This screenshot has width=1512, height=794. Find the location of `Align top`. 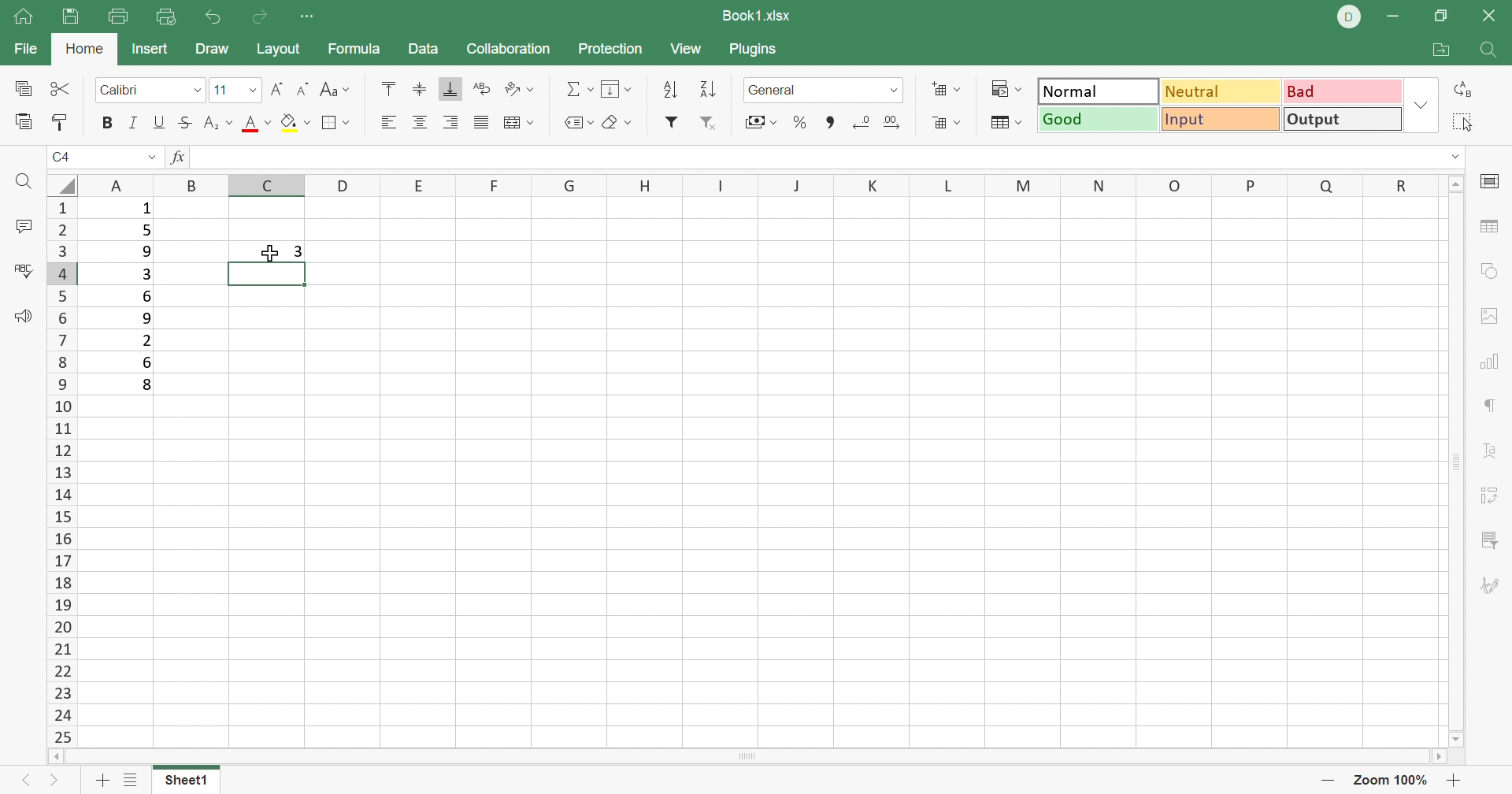

Align top is located at coordinates (387, 87).